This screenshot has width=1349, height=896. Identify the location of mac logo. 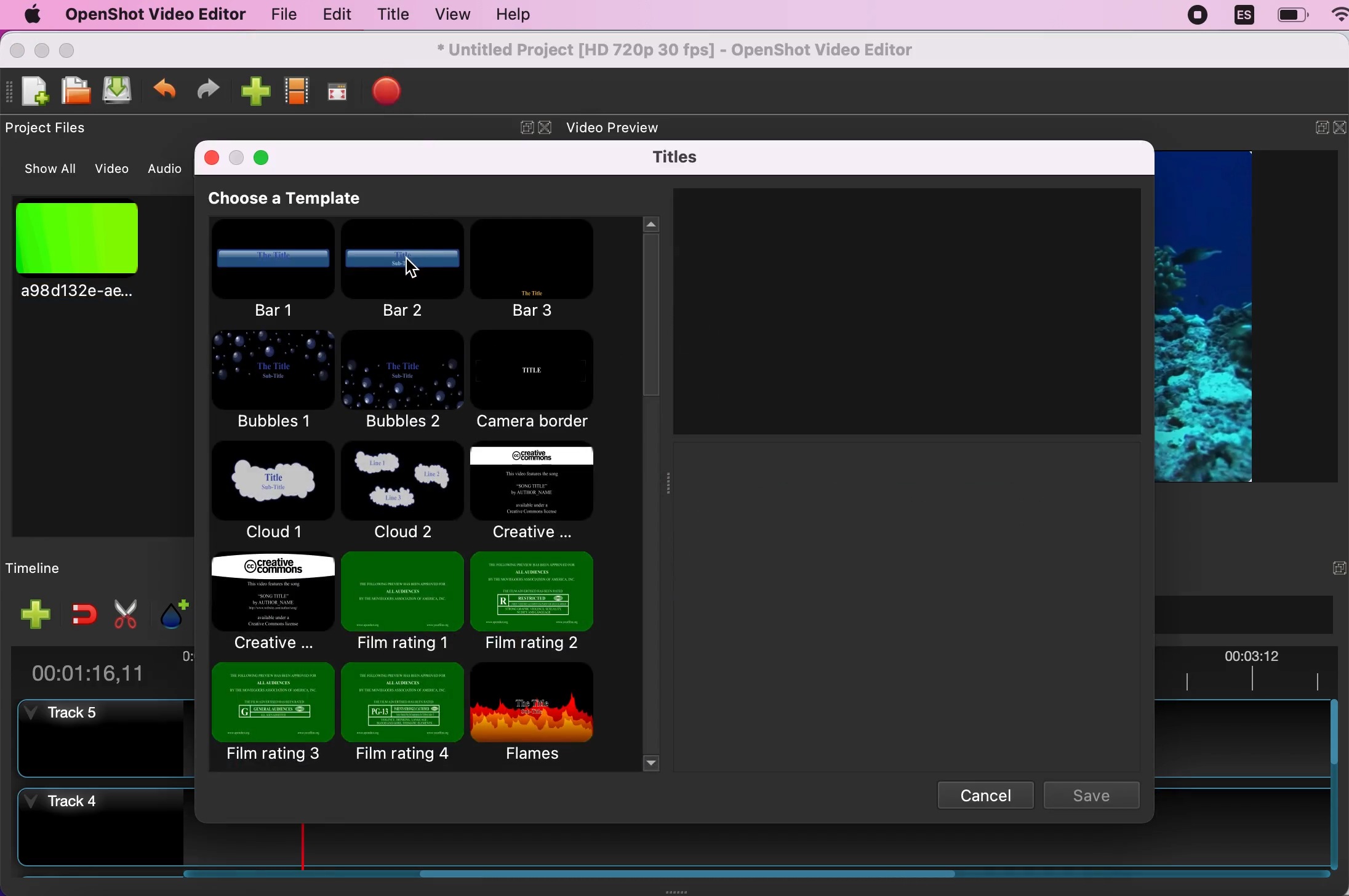
(31, 14).